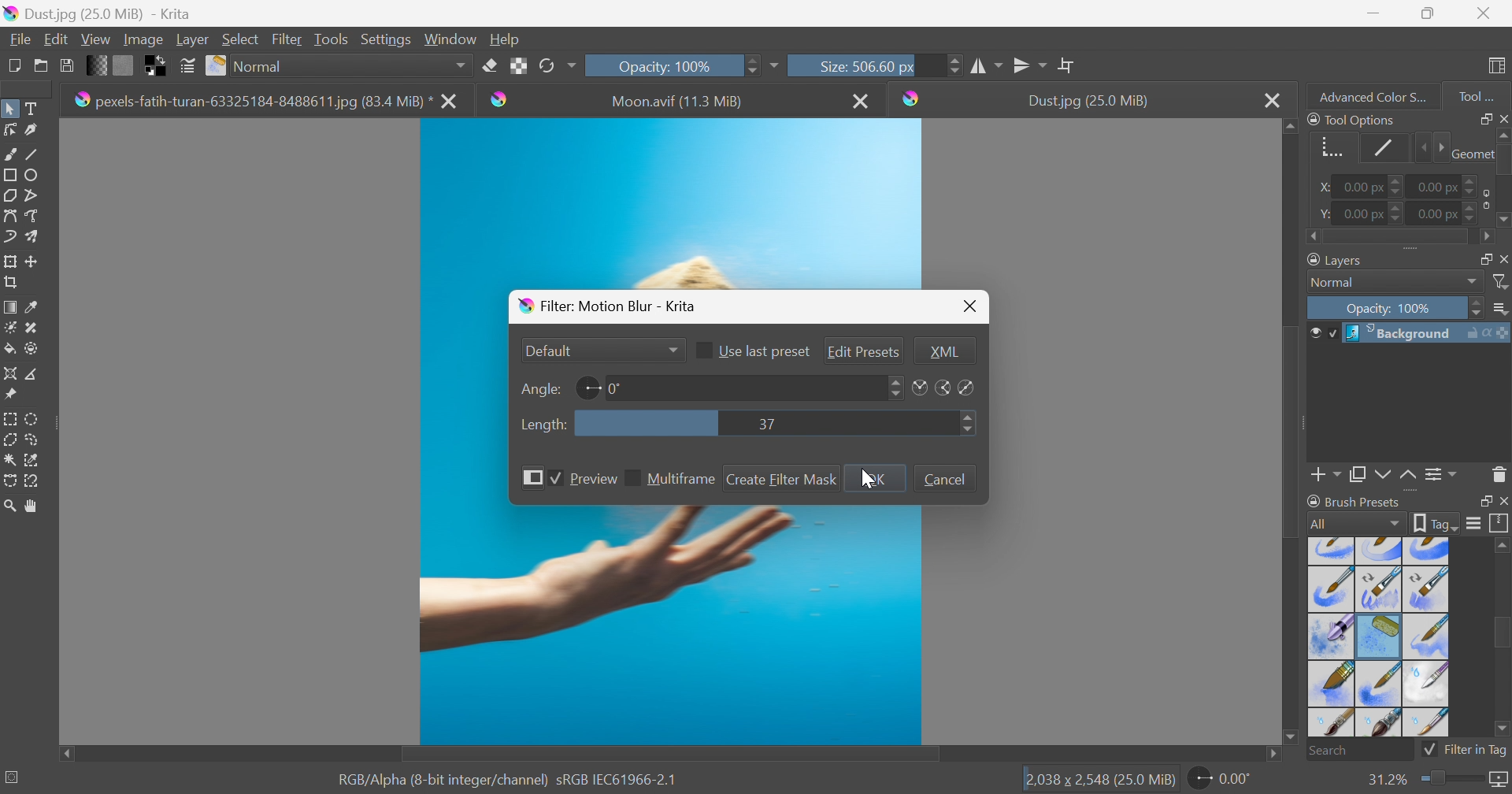 The height and width of the screenshot is (794, 1512). Describe the element at coordinates (65, 64) in the screenshot. I see `Save` at that location.